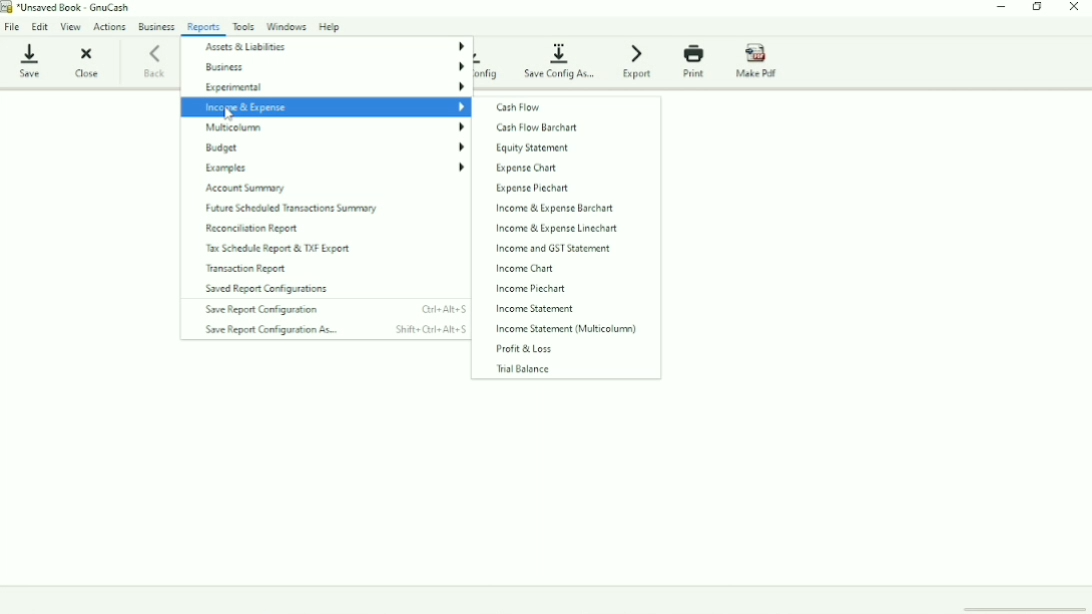  Describe the element at coordinates (334, 330) in the screenshot. I see `Save Report Configuration As` at that location.